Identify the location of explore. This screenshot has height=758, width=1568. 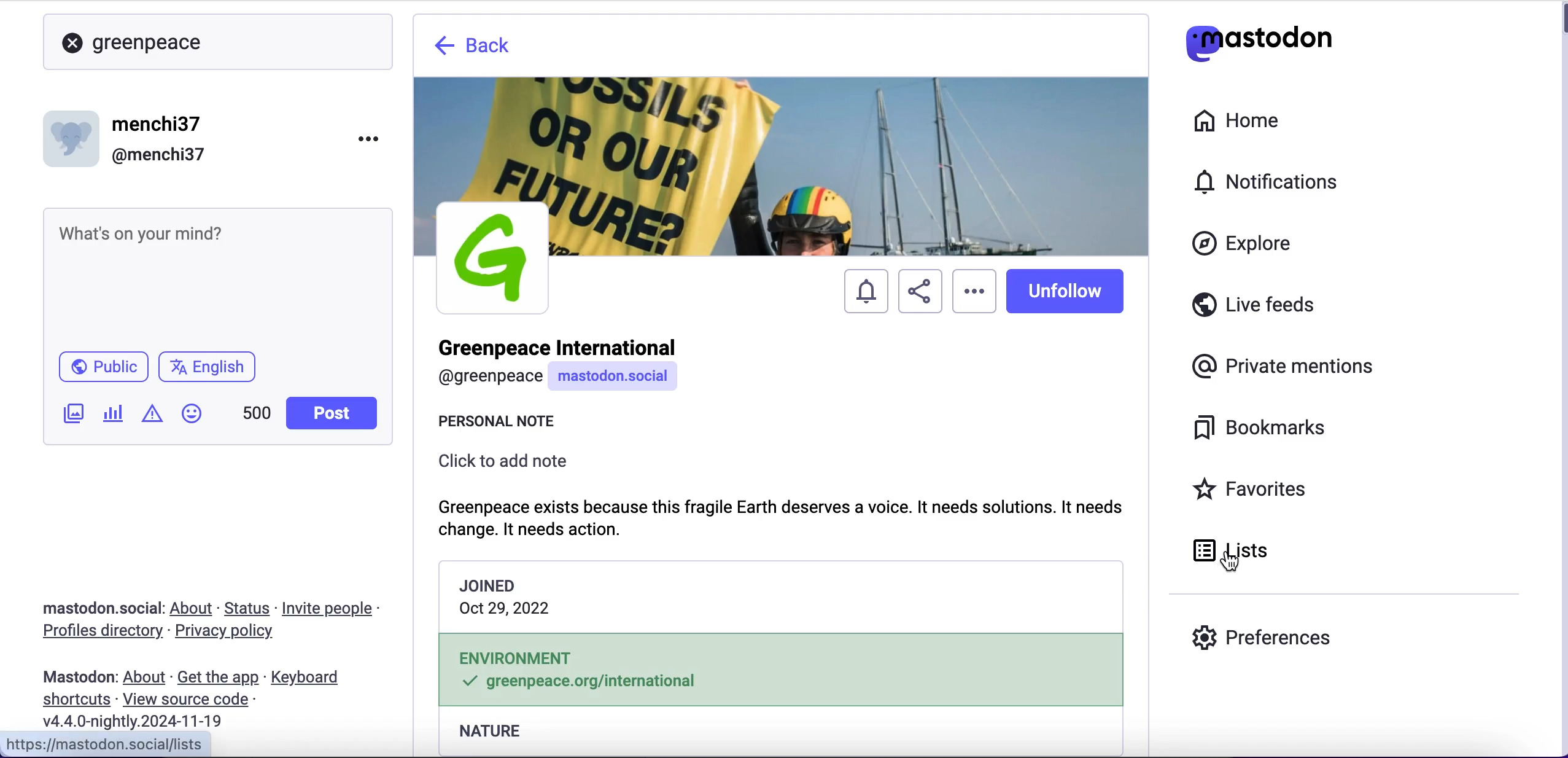
(1254, 244).